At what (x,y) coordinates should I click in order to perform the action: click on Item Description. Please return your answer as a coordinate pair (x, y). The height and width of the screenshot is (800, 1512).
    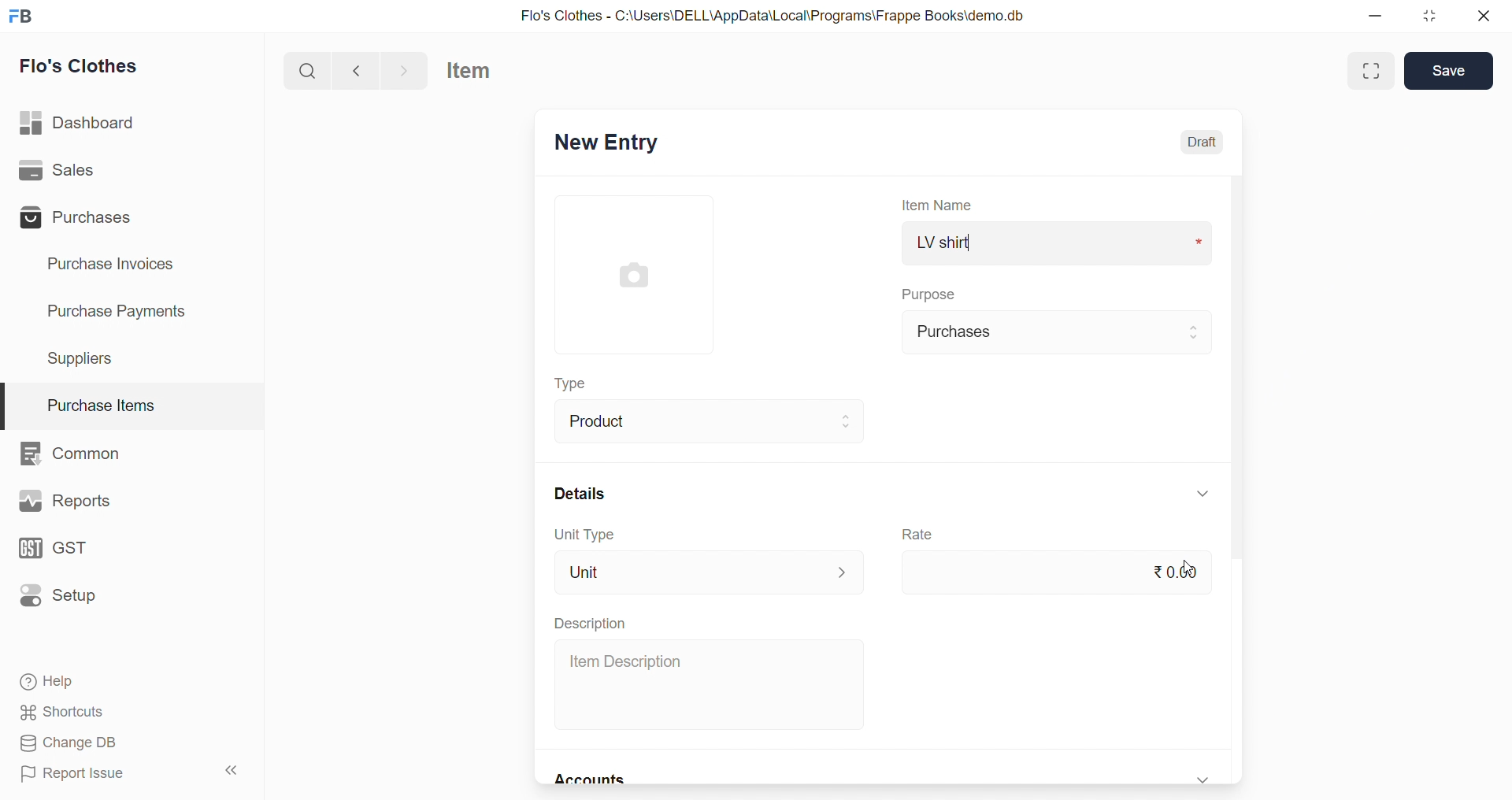
    Looking at the image, I should click on (713, 685).